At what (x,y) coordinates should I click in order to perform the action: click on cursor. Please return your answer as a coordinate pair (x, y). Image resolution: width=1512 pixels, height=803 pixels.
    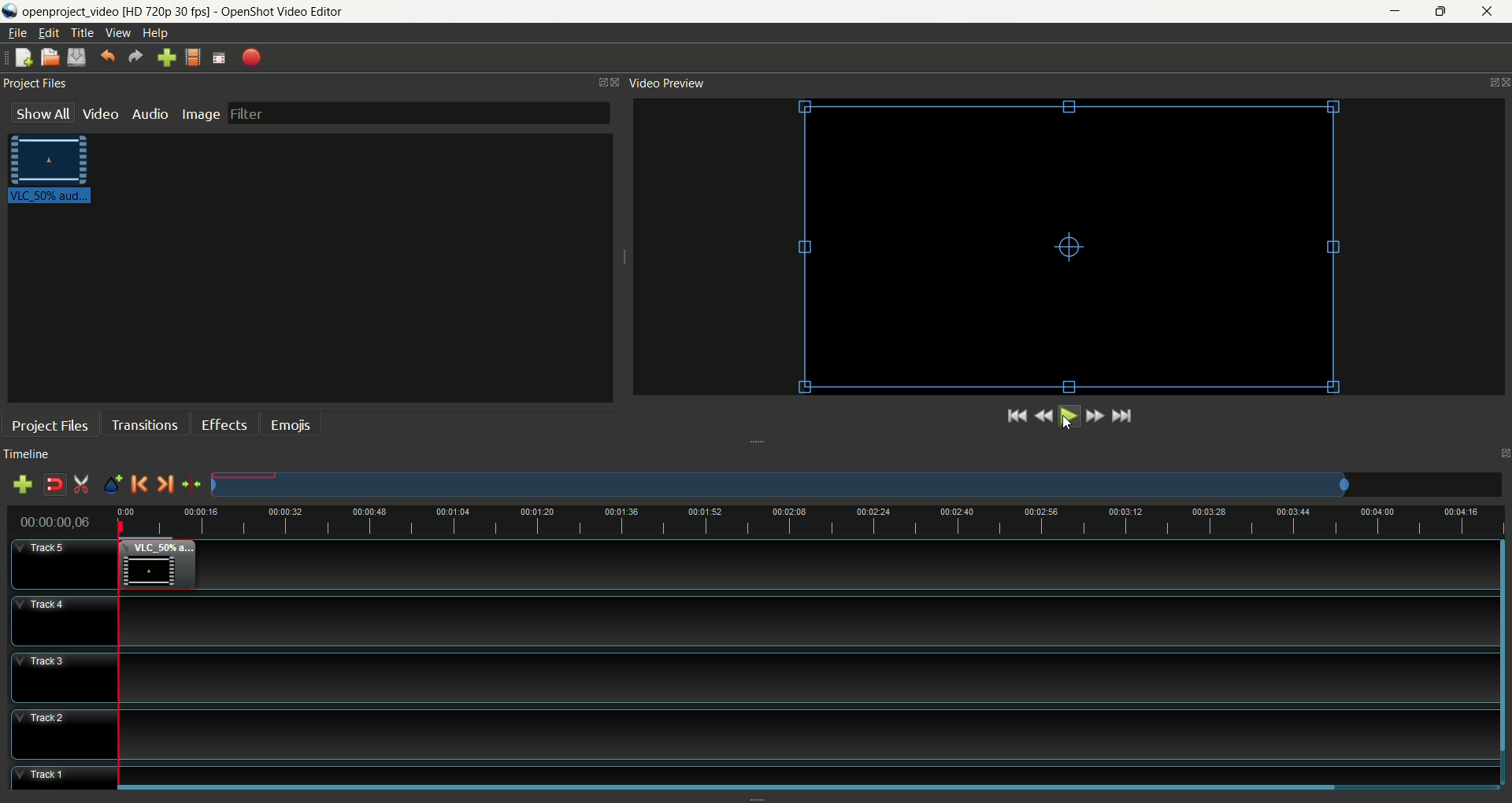
    Looking at the image, I should click on (119, 528).